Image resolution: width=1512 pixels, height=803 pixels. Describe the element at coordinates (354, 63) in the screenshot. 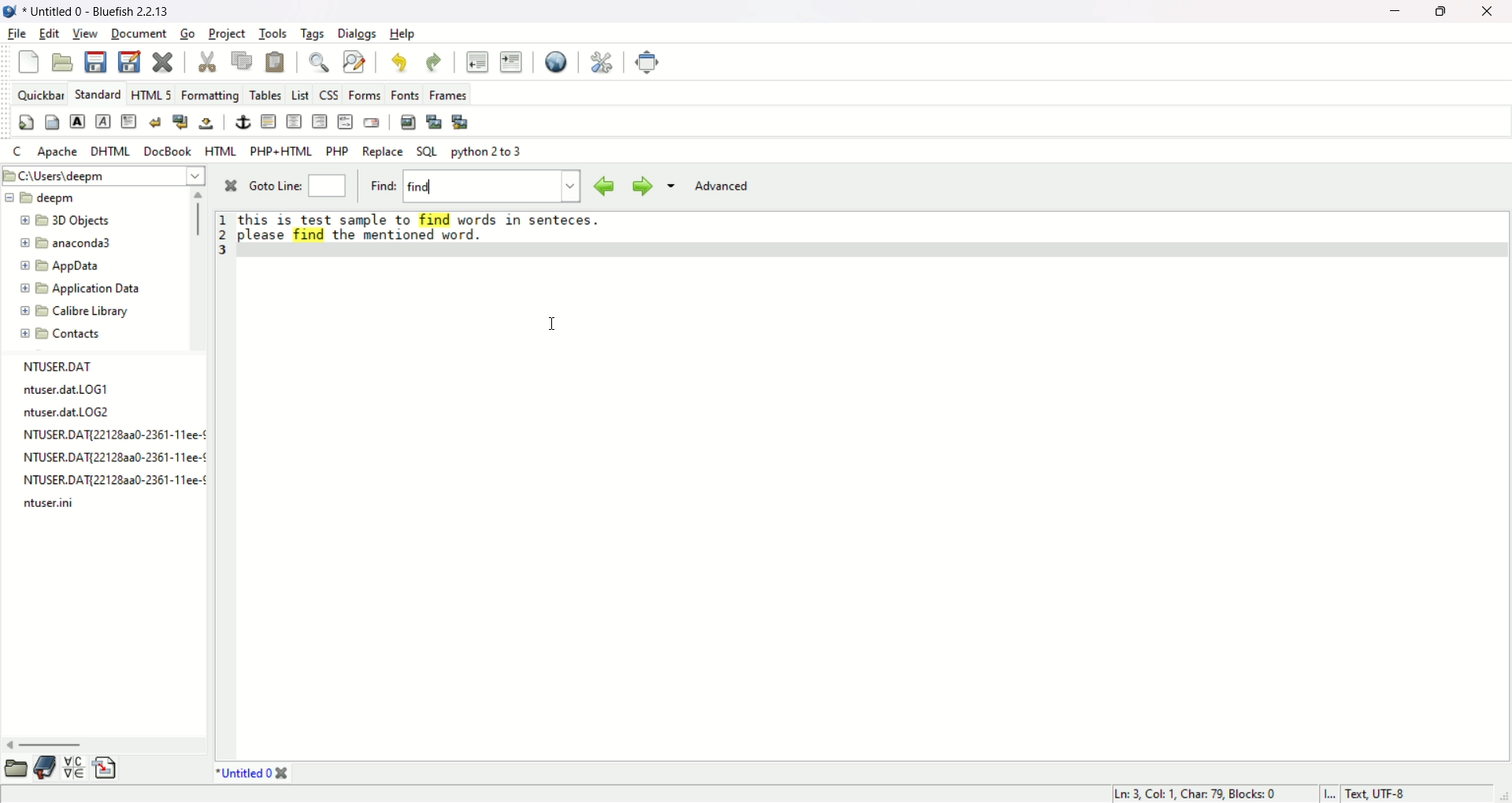

I see `find and replace` at that location.